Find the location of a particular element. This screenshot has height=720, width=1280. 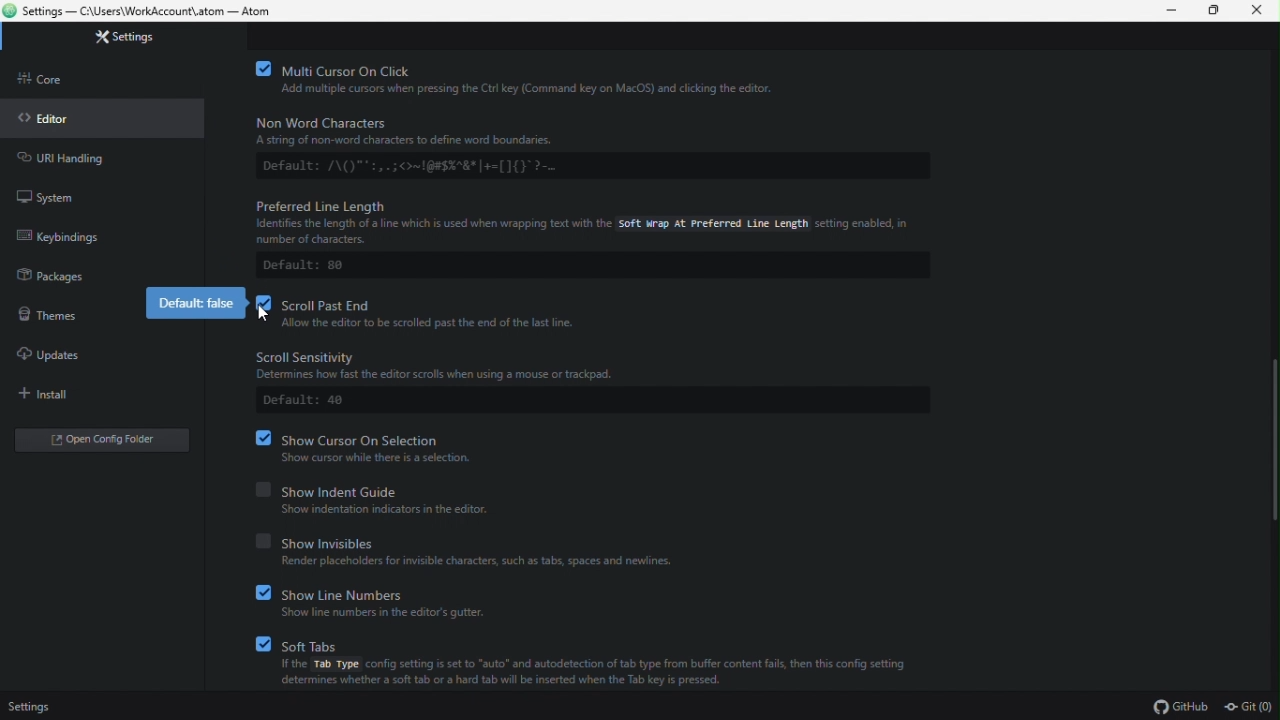

show line numbers is located at coordinates (391, 592).